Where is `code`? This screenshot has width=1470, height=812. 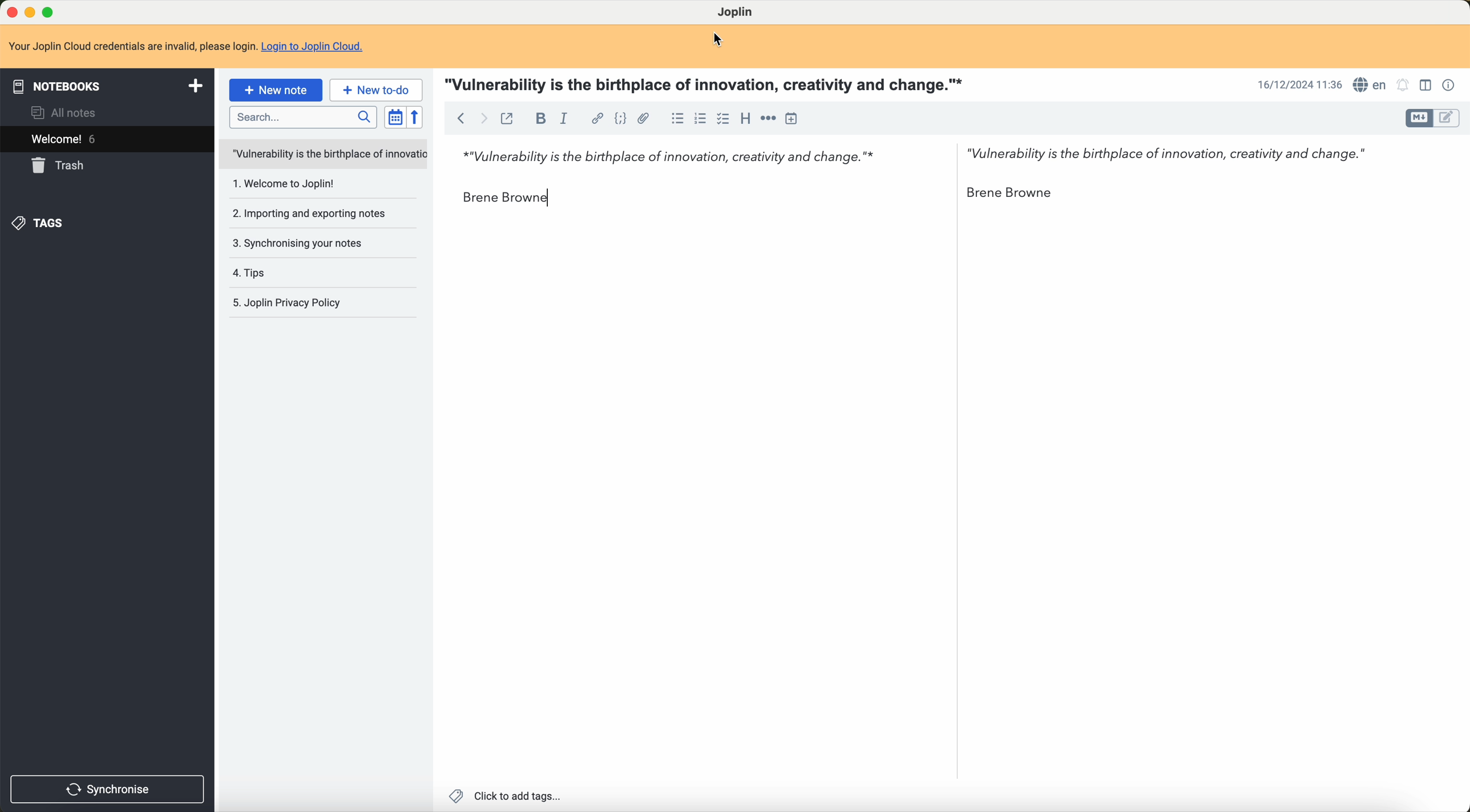
code is located at coordinates (618, 118).